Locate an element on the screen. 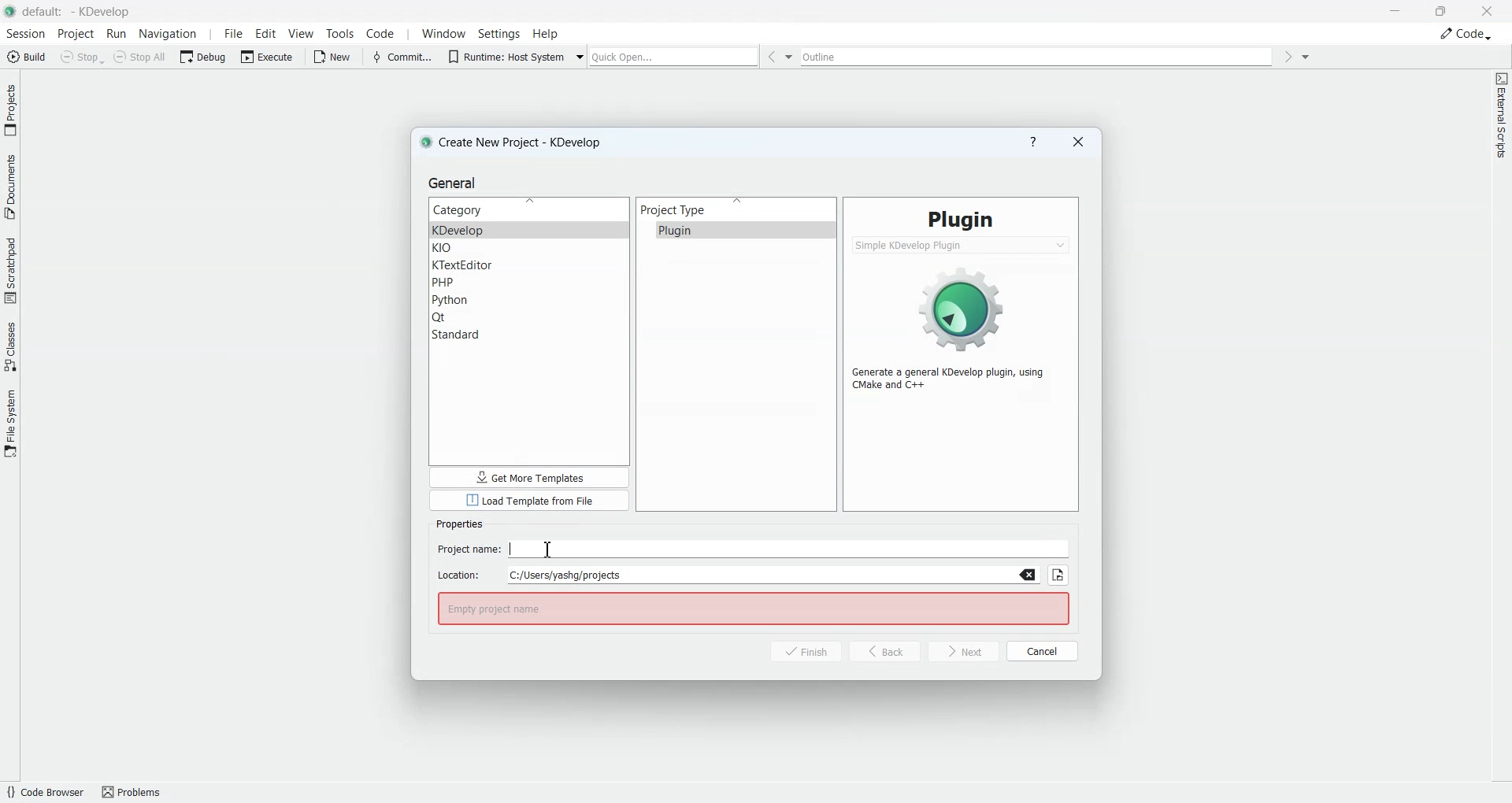  Standard is located at coordinates (529, 335).